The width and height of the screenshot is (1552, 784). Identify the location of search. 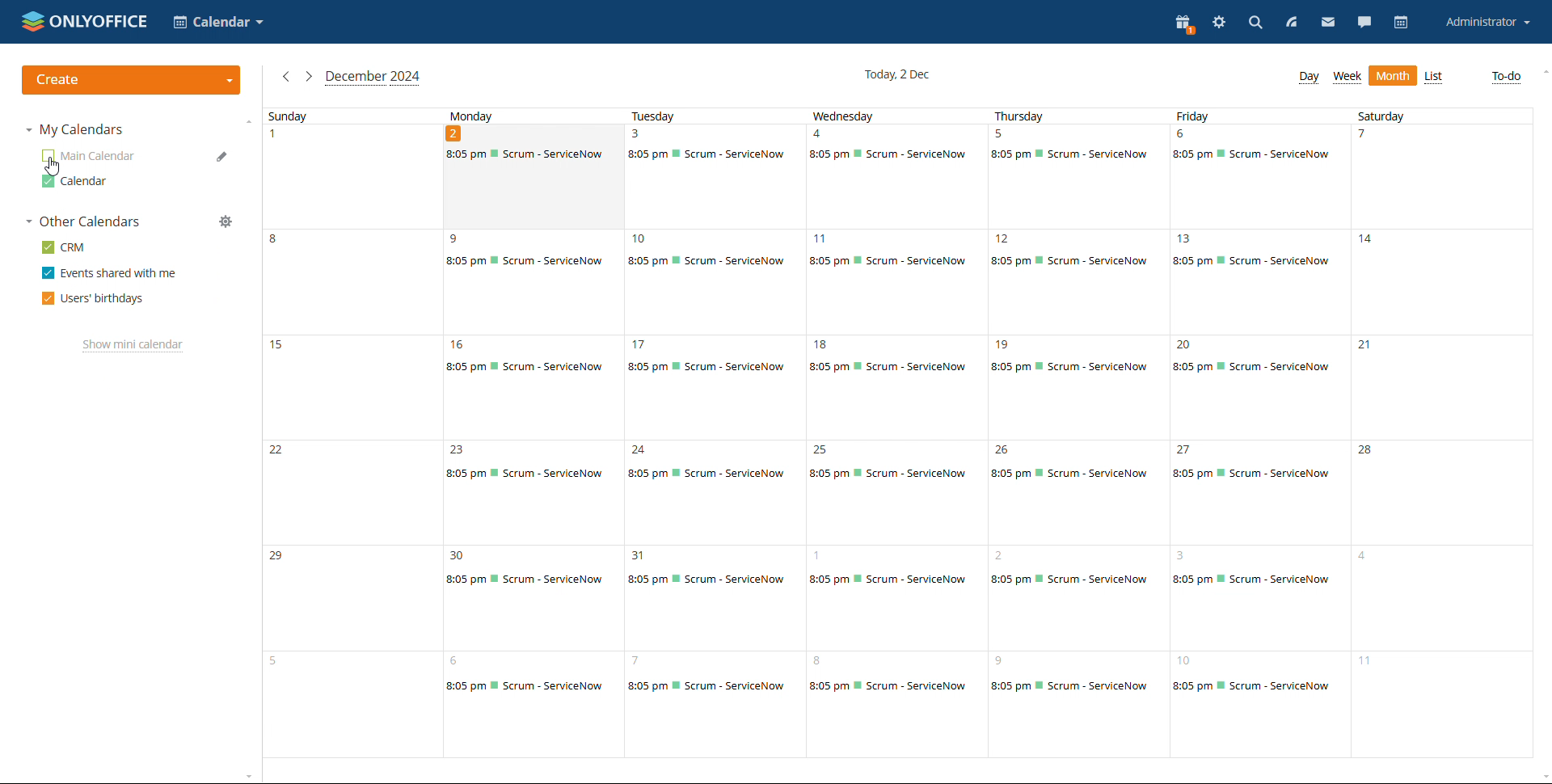
(1254, 24).